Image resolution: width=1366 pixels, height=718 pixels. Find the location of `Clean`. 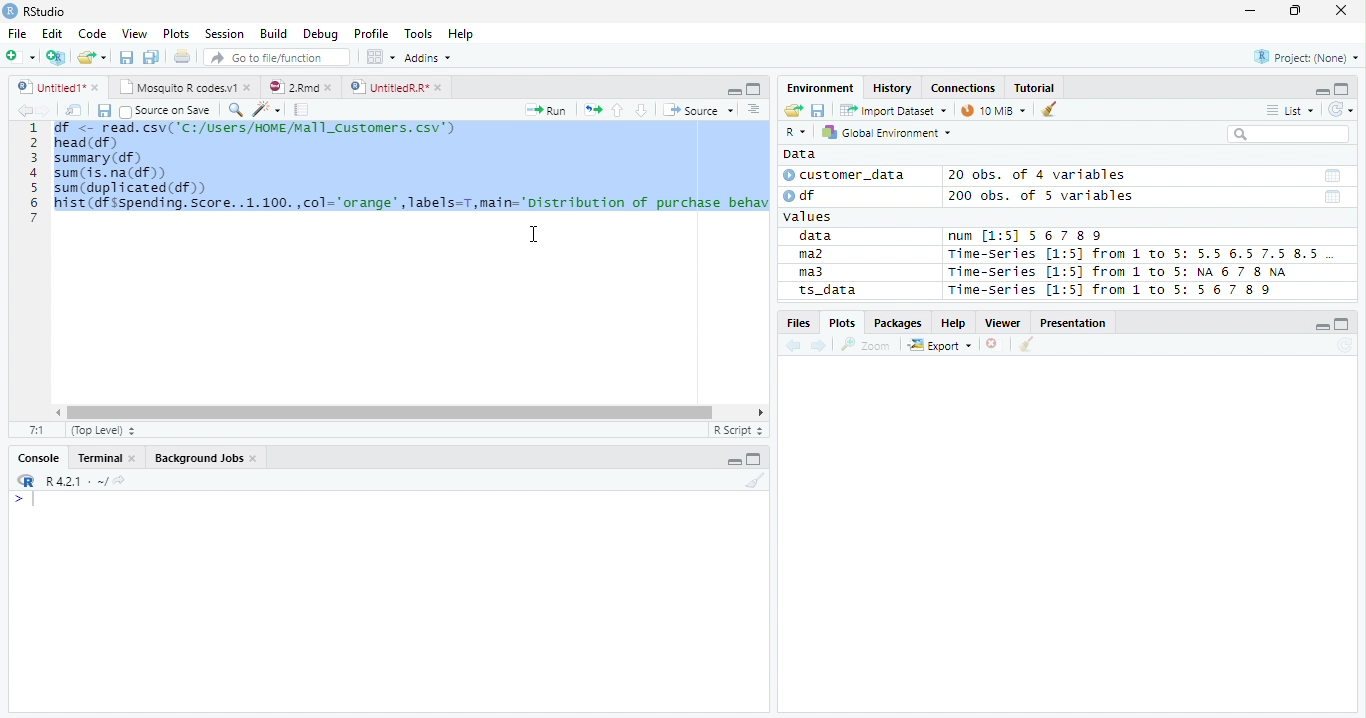

Clean is located at coordinates (1051, 108).